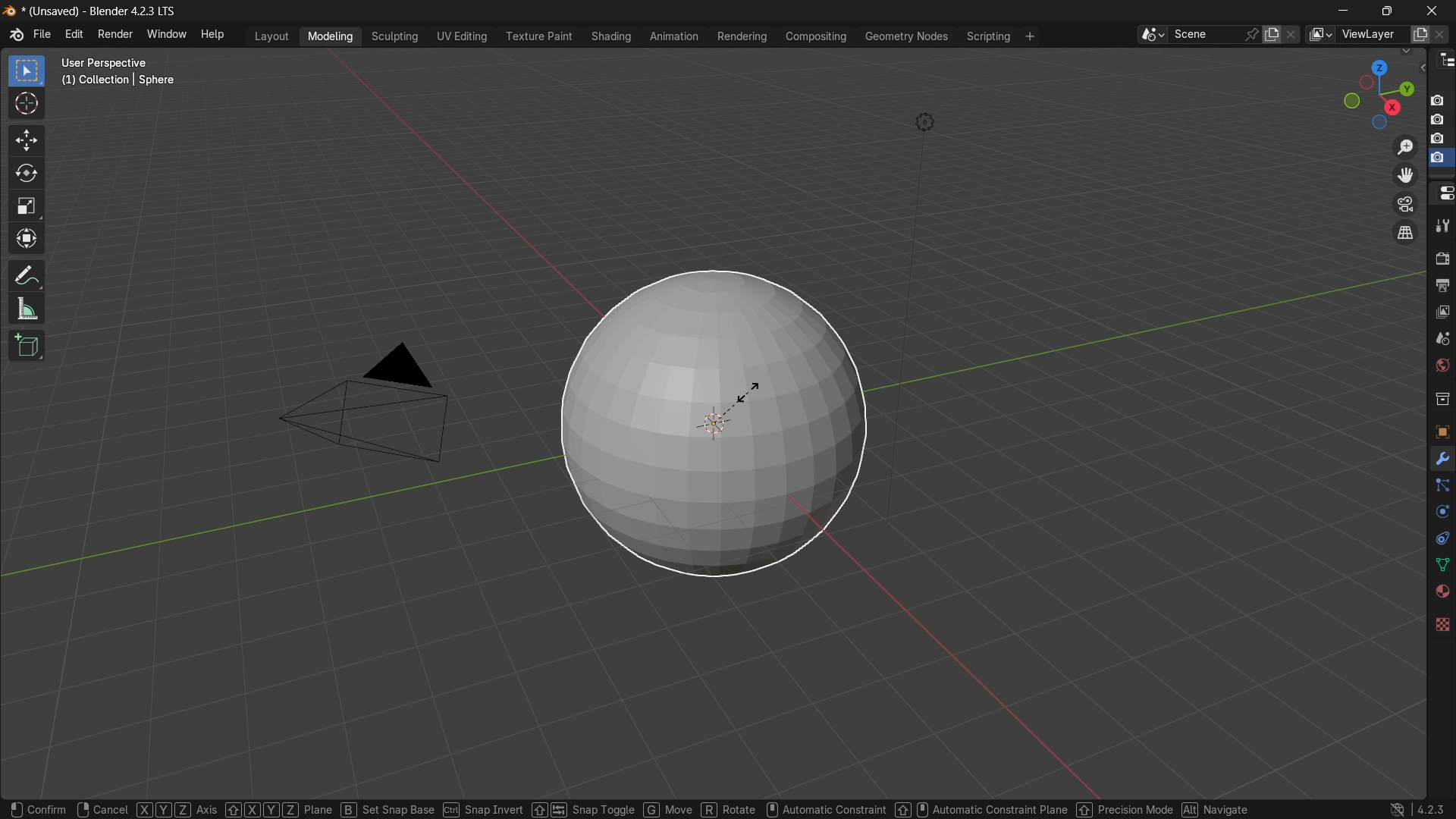  Describe the element at coordinates (1442, 591) in the screenshot. I see `material` at that location.